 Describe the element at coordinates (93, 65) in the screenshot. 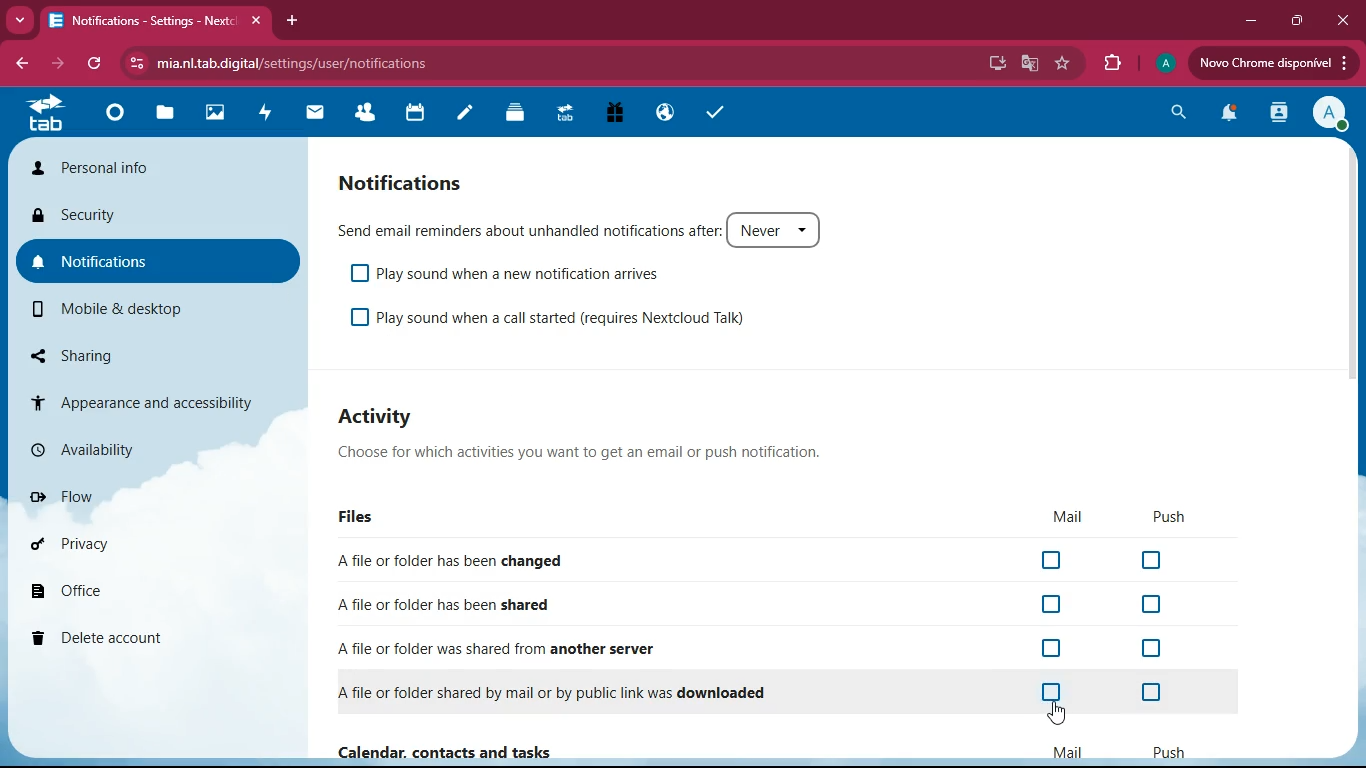

I see `refresh` at that location.